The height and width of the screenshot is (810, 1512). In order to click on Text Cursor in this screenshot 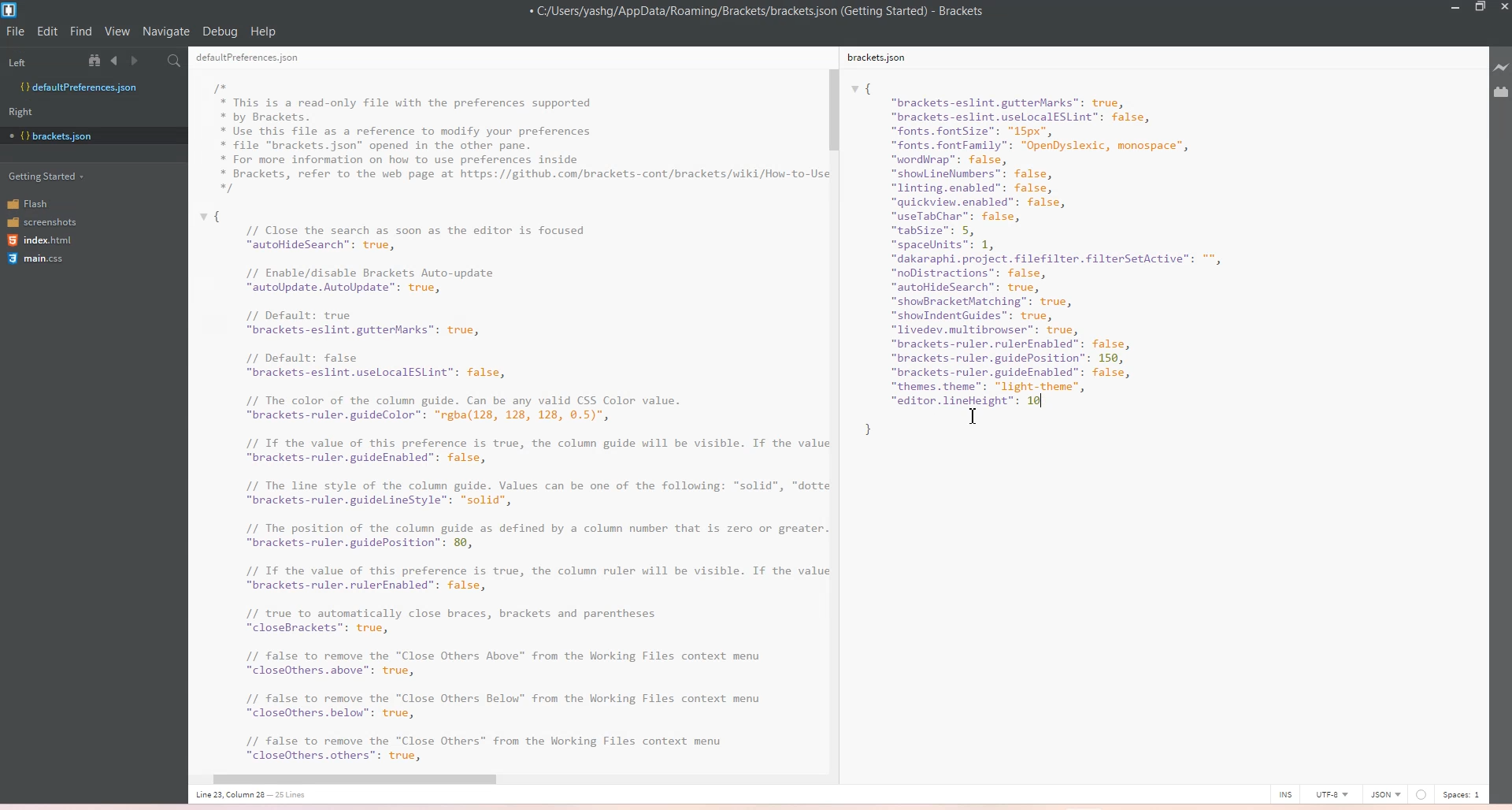, I will do `click(976, 418)`.